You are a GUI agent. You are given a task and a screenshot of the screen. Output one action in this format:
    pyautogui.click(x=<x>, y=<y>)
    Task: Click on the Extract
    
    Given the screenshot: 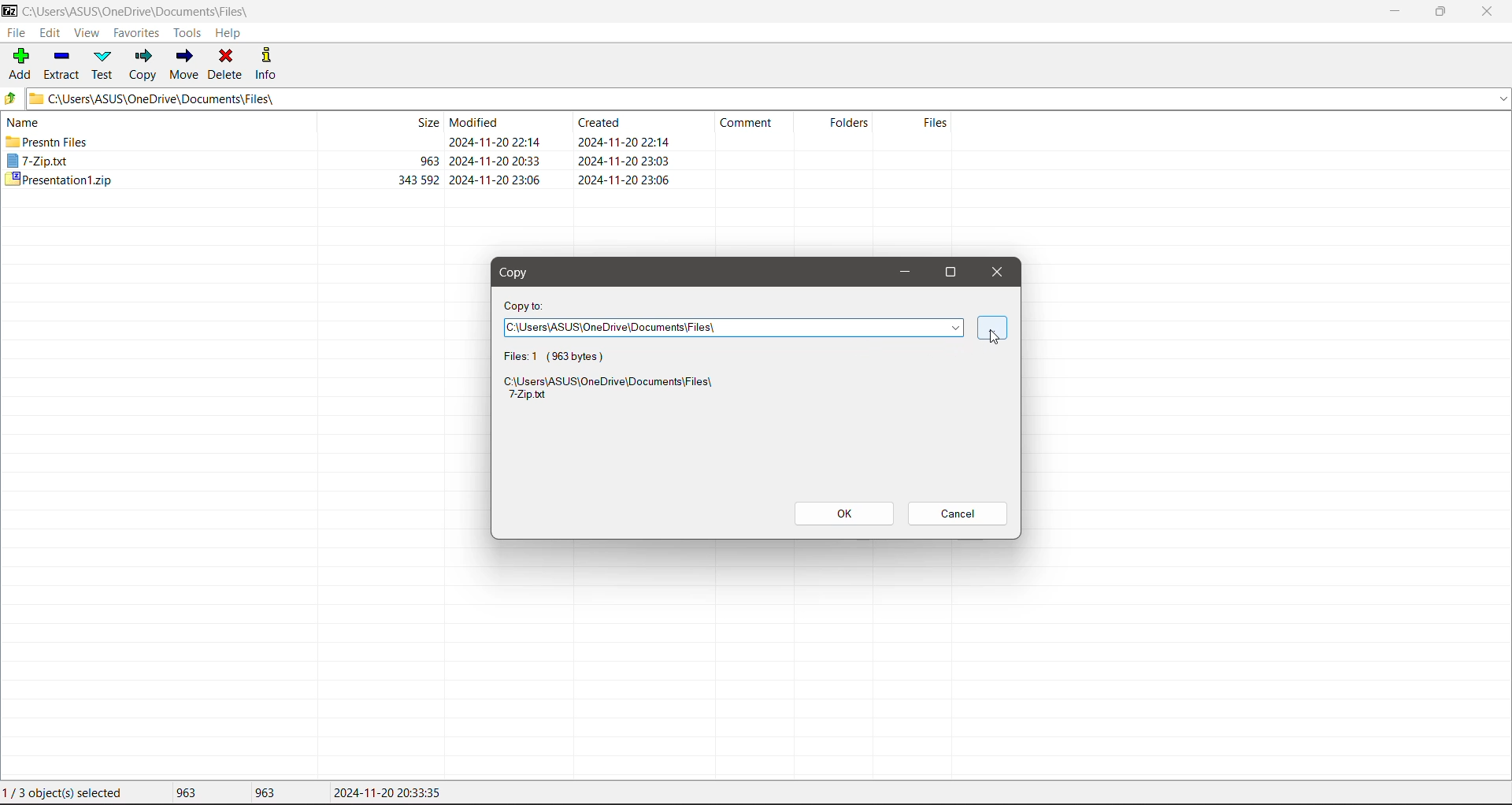 What is the action you would take?
    pyautogui.click(x=61, y=63)
    